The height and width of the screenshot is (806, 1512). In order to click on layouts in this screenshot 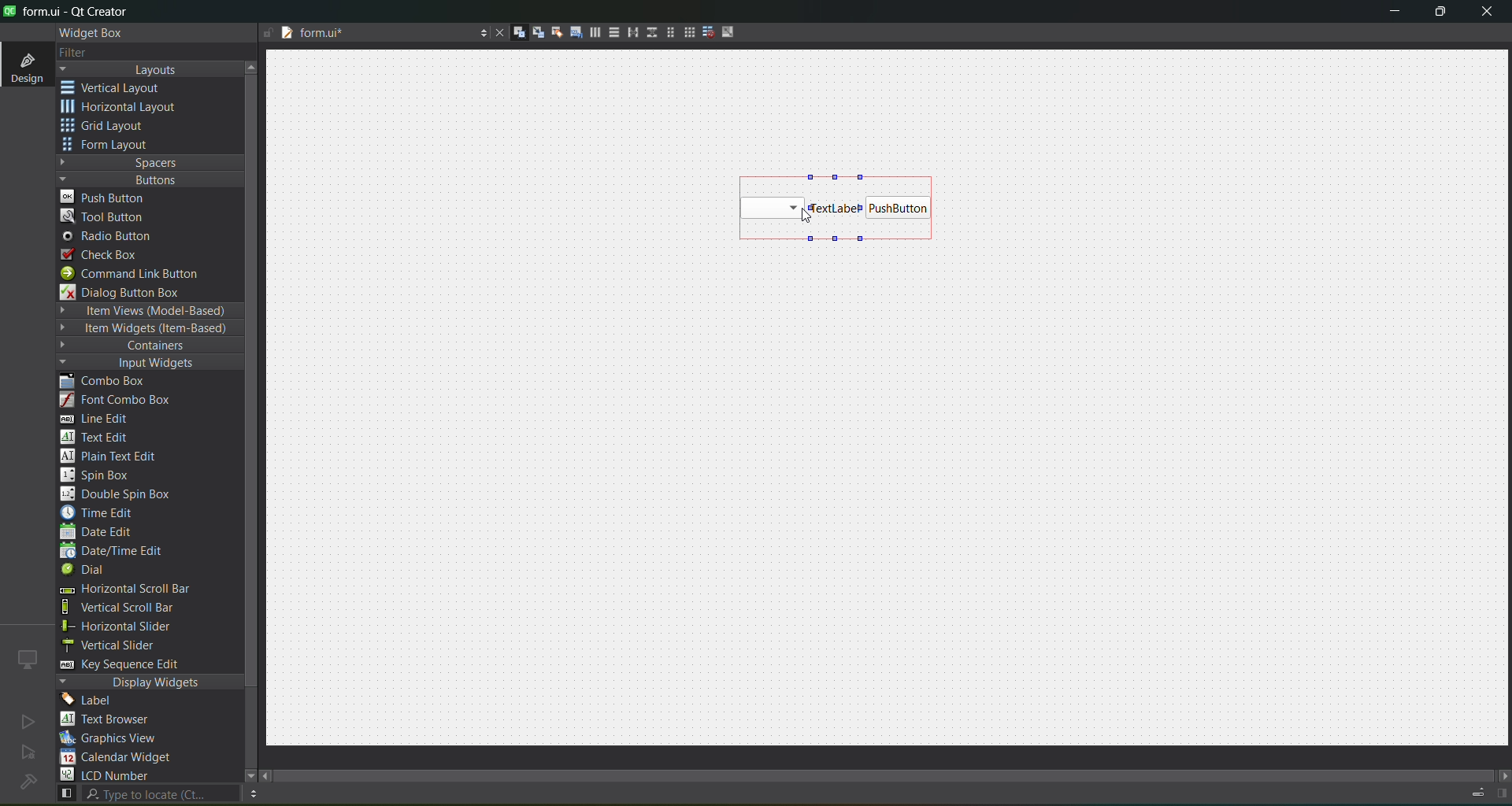, I will do `click(150, 69)`.